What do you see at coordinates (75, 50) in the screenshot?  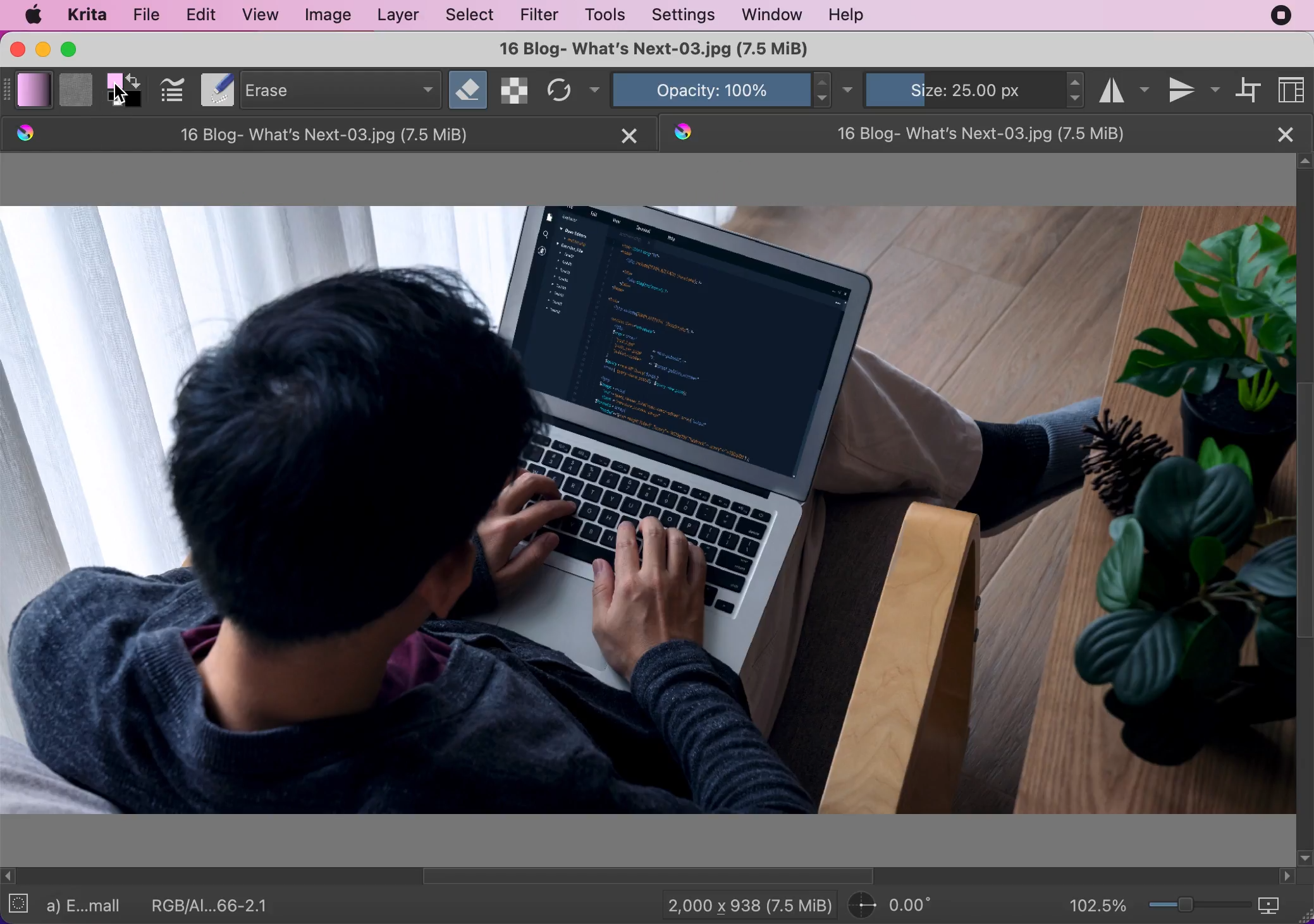 I see `maximize` at bounding box center [75, 50].